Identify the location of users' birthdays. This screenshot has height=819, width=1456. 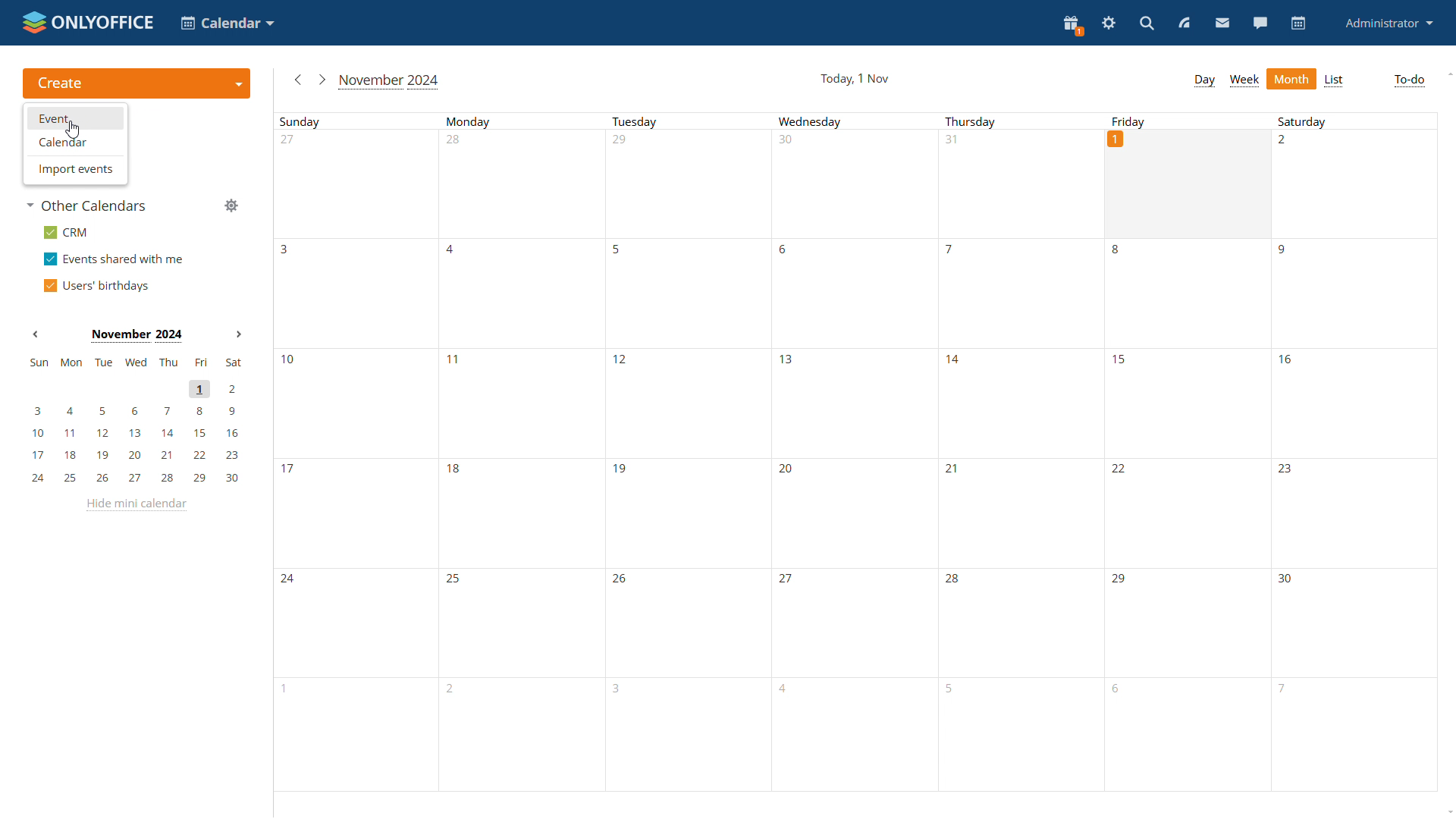
(96, 284).